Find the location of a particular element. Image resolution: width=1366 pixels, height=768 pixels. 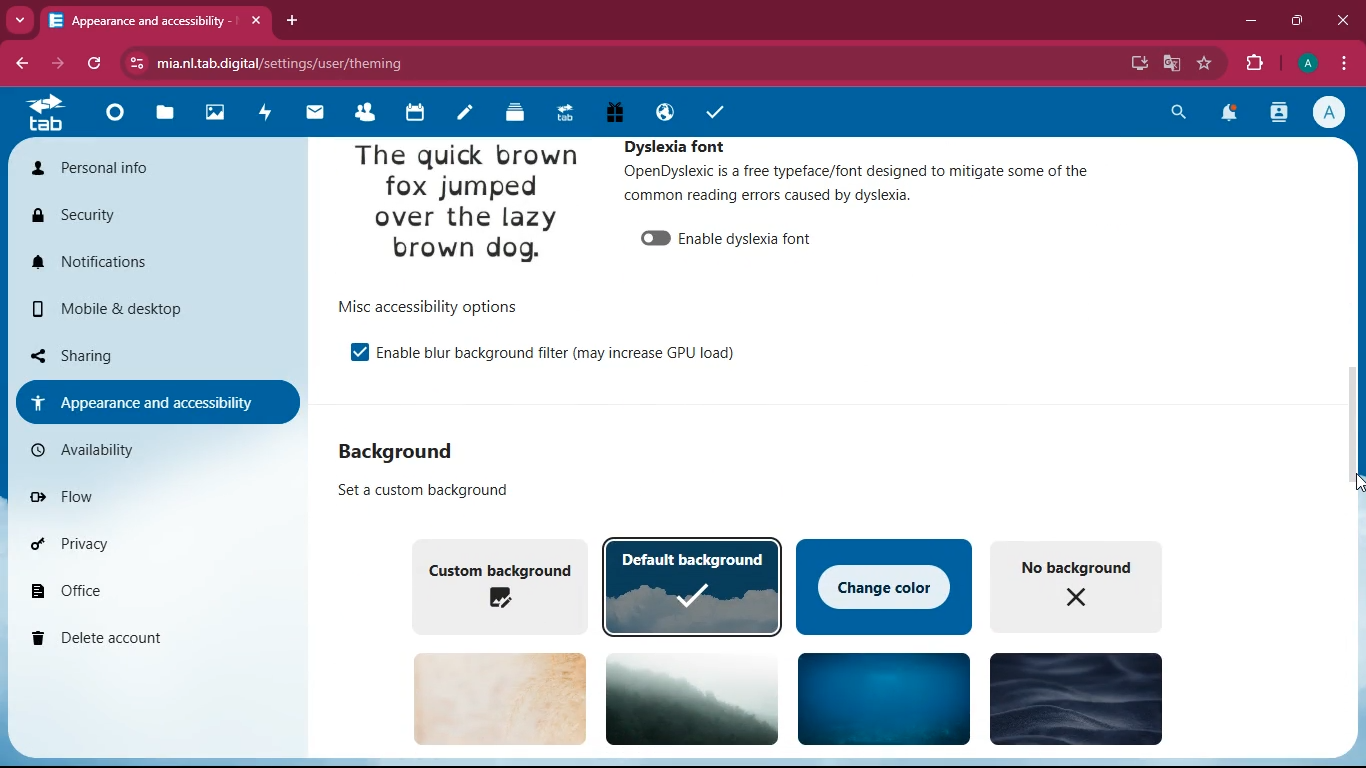

maximize is located at coordinates (1299, 21).